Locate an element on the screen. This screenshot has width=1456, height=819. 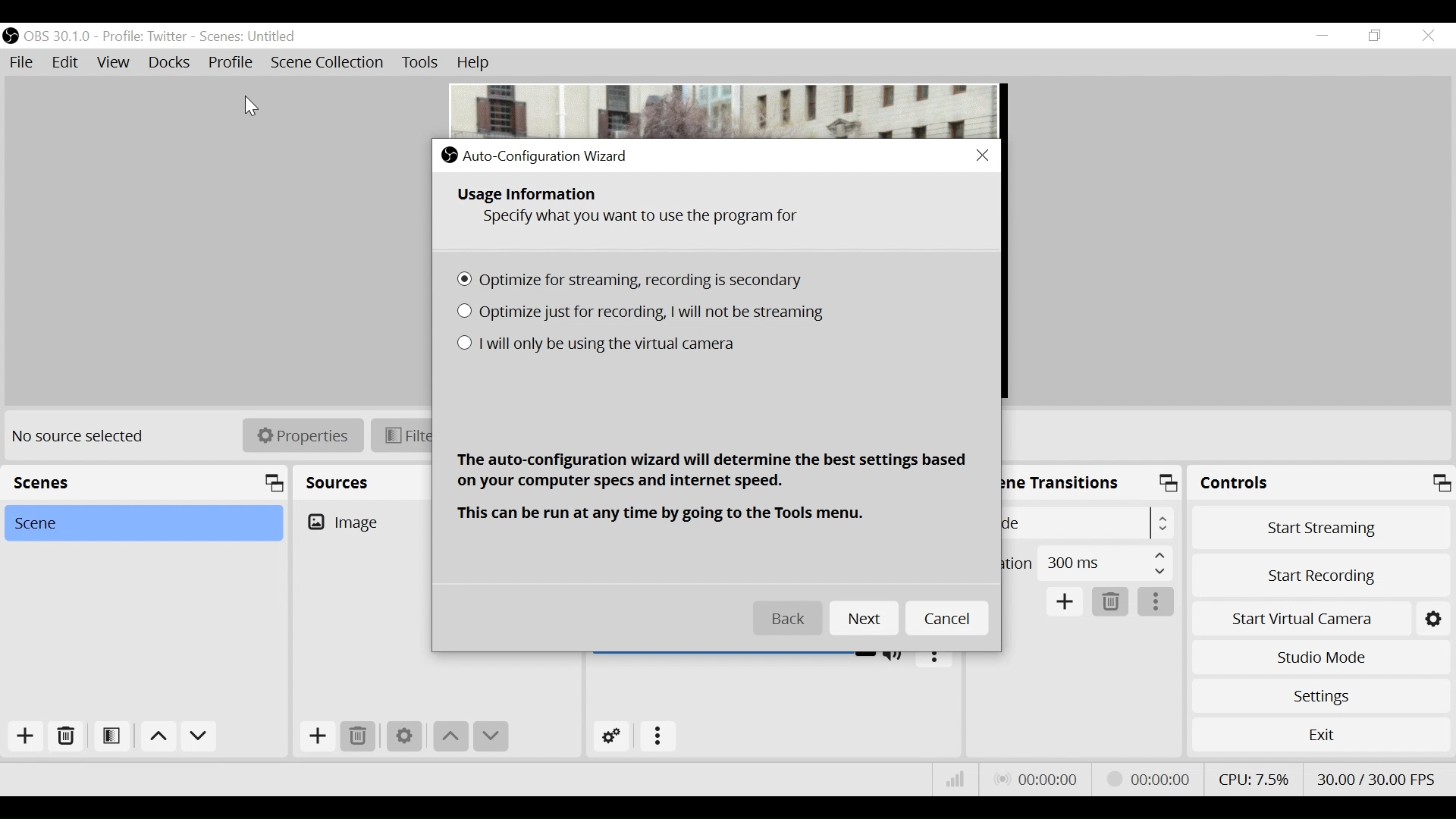
Scenes Name is located at coordinates (269, 36).